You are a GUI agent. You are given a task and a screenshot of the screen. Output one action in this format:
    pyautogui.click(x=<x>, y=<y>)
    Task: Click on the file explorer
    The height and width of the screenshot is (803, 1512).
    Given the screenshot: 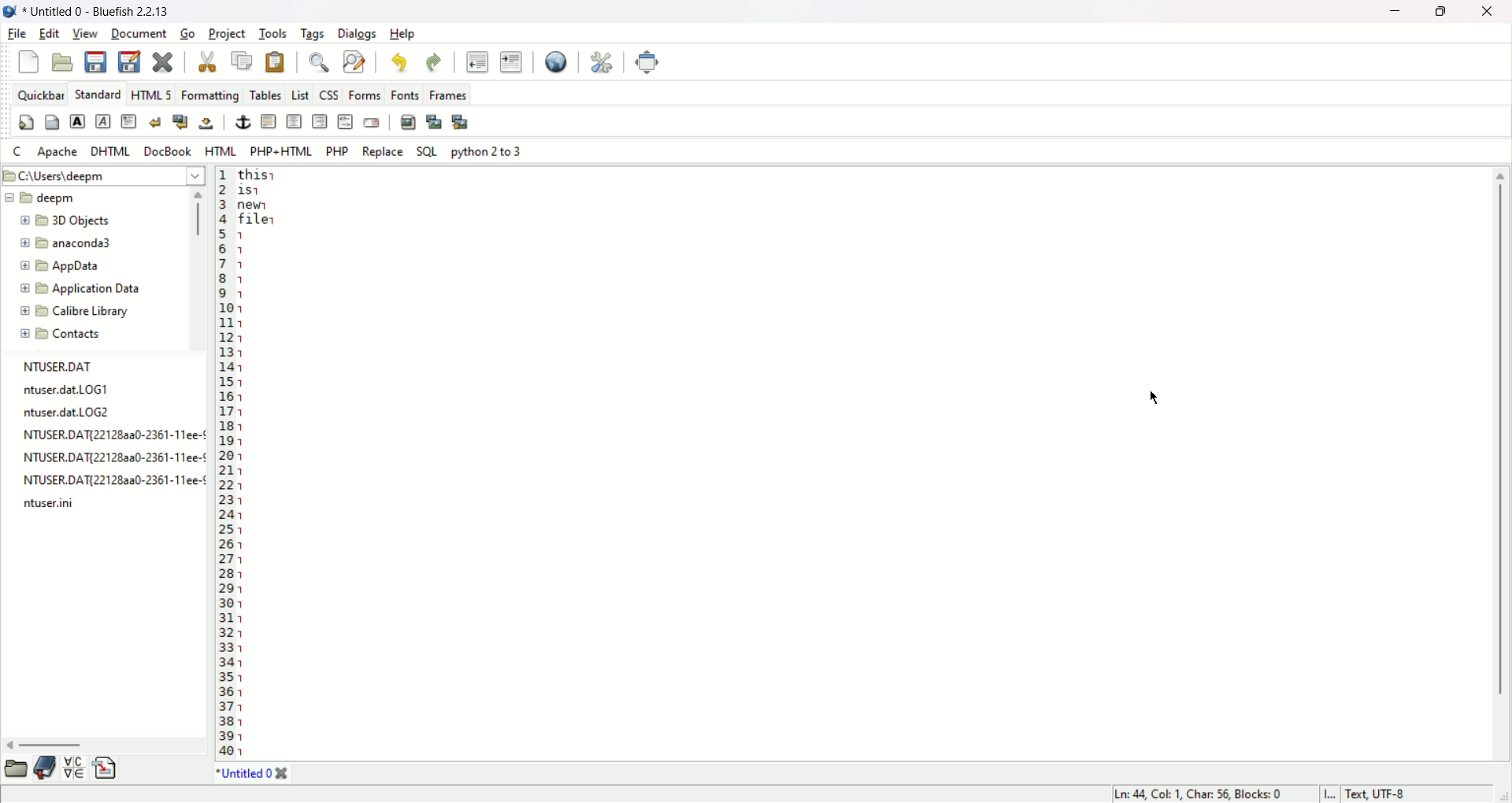 What is the action you would take?
    pyautogui.click(x=14, y=768)
    